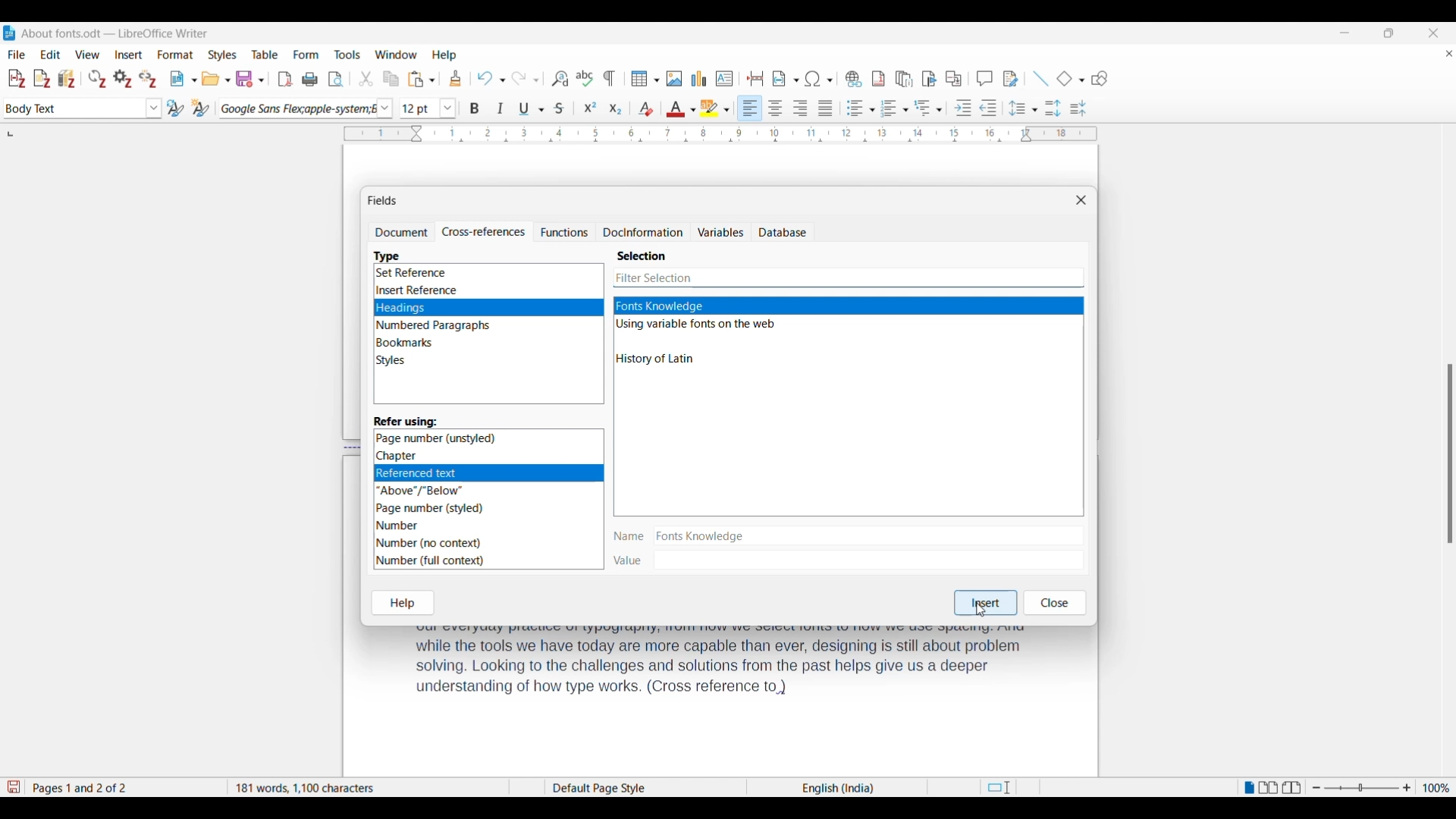  Describe the element at coordinates (16, 79) in the screenshot. I see `Add/Edit citation` at that location.